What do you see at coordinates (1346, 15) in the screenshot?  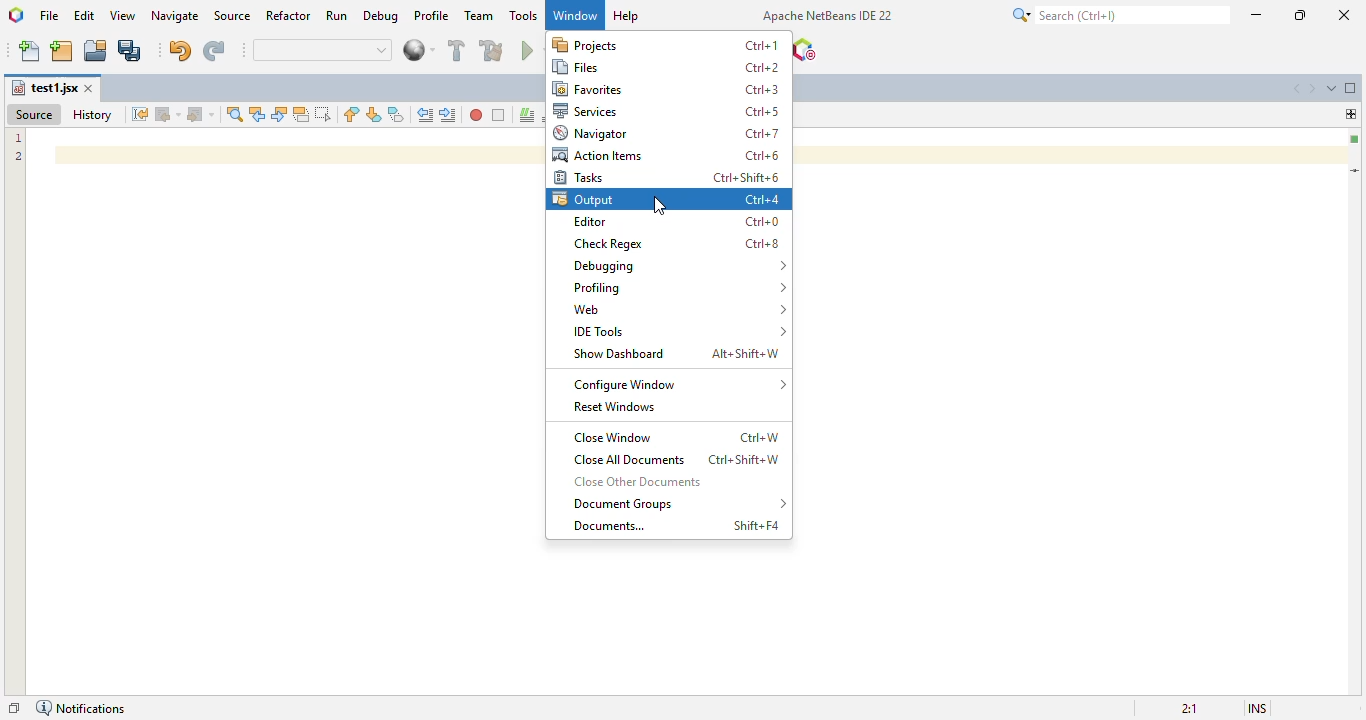 I see `close` at bounding box center [1346, 15].